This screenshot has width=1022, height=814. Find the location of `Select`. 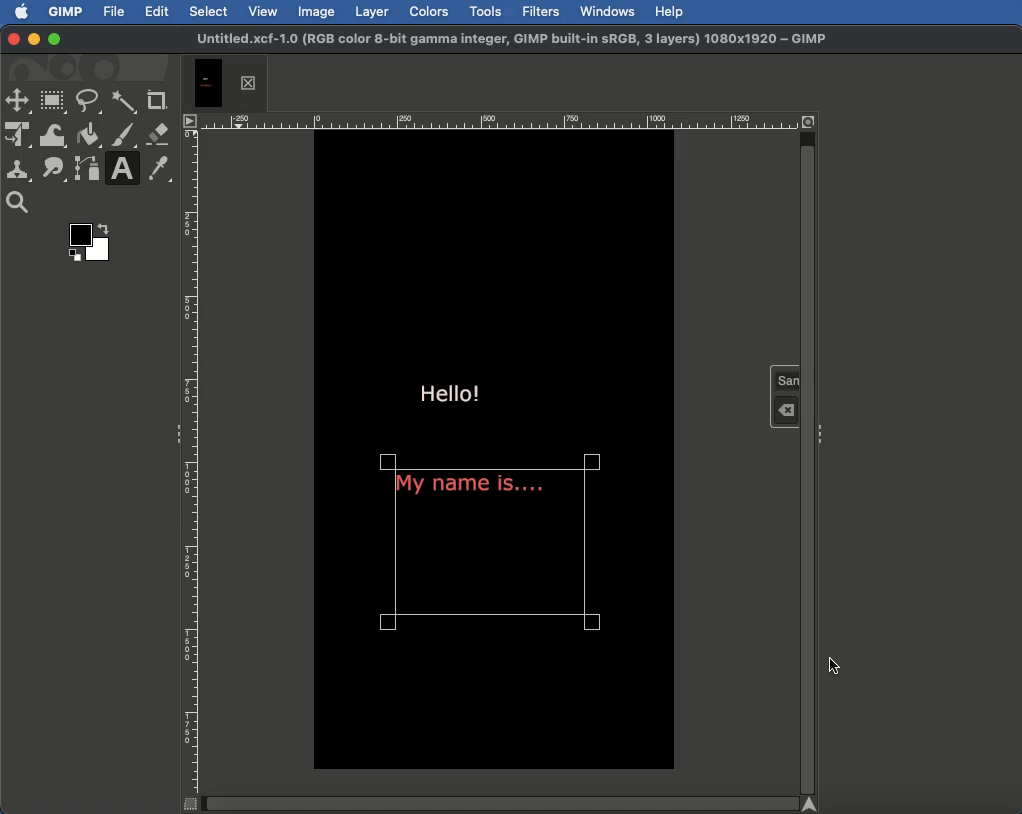

Select is located at coordinates (208, 12).